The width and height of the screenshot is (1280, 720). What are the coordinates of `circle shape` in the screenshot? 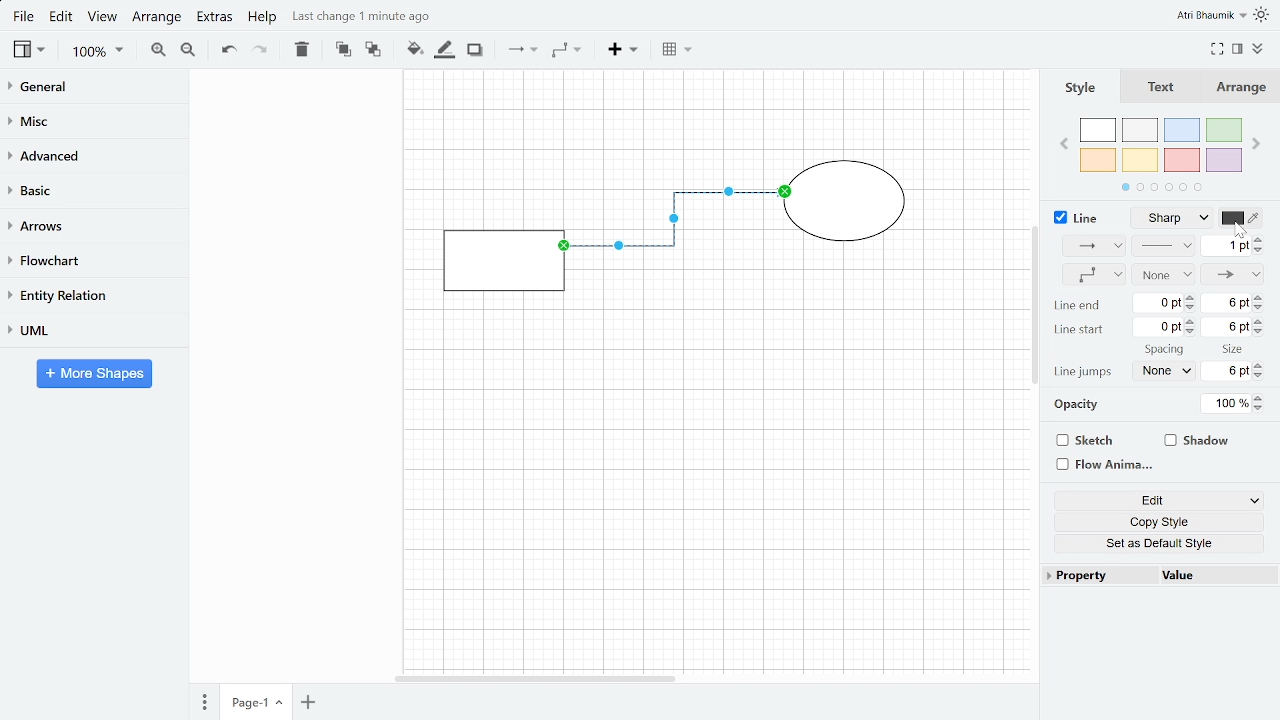 It's located at (848, 204).